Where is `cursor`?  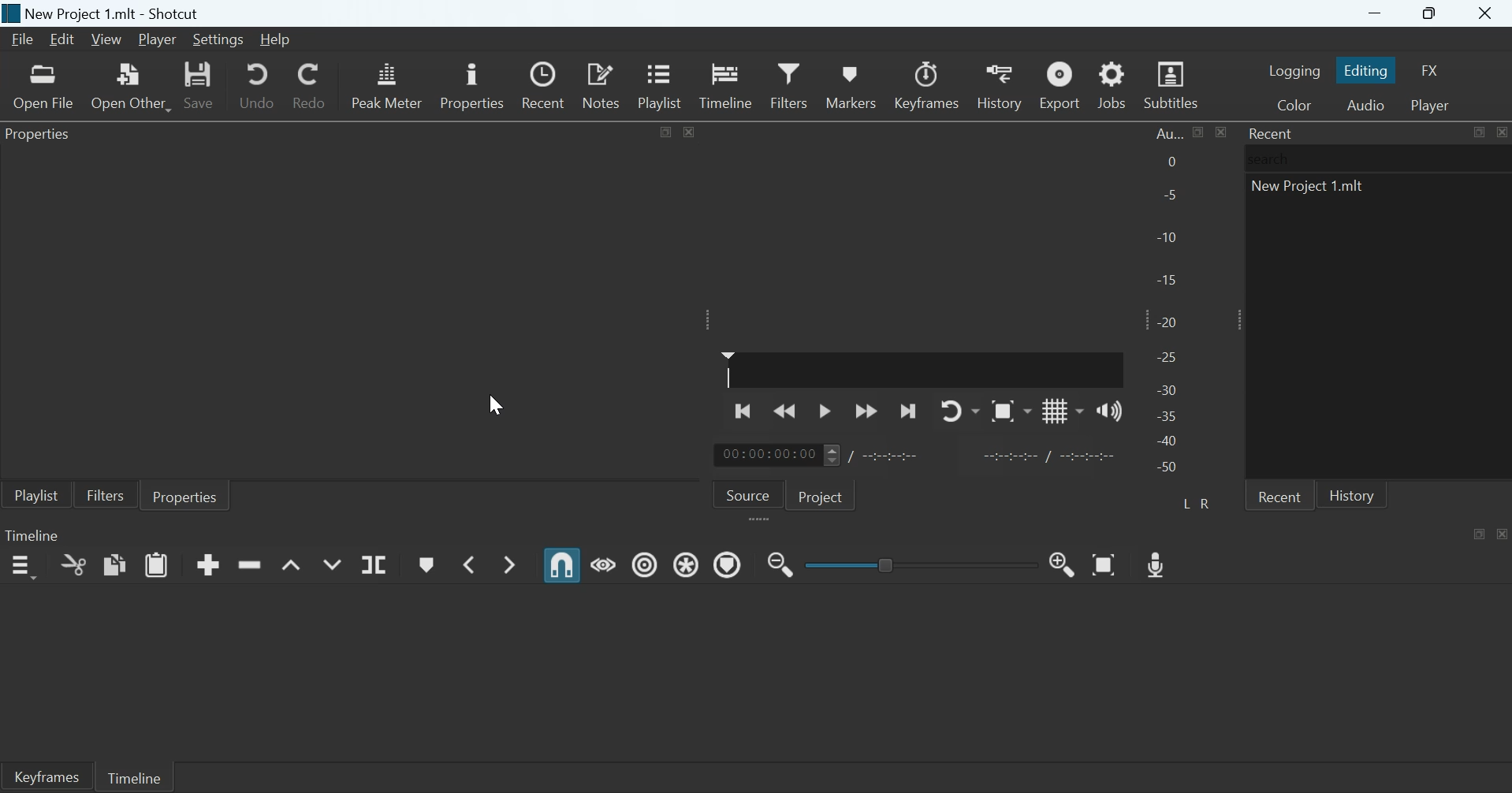 cursor is located at coordinates (498, 406).